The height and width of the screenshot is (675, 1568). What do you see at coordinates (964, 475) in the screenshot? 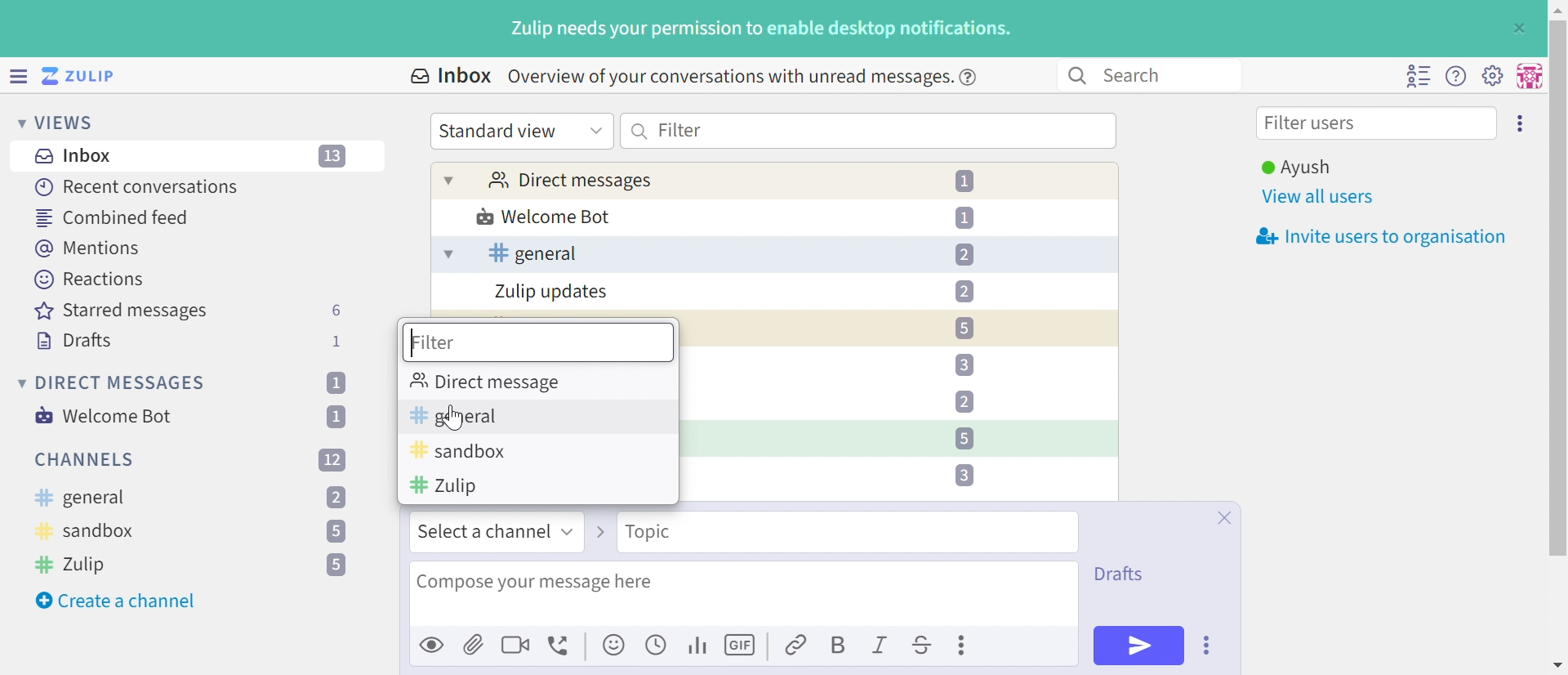
I see `3` at bounding box center [964, 475].